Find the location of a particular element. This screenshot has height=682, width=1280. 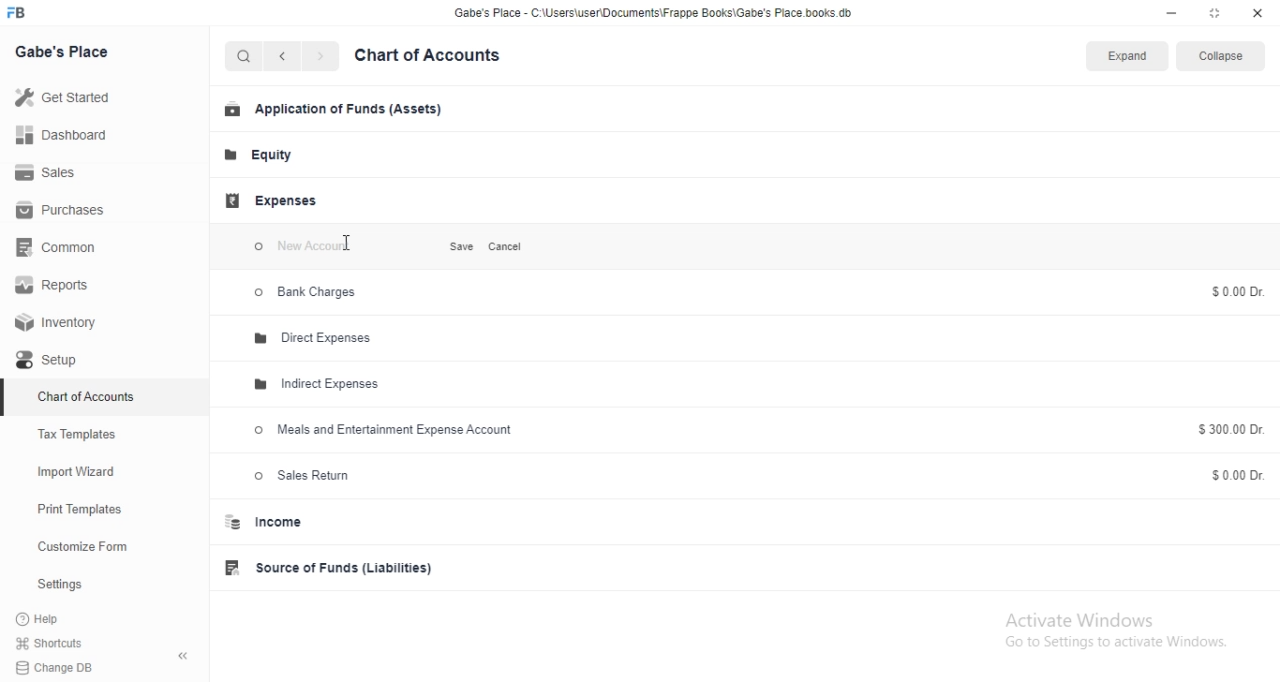

restore down is located at coordinates (1216, 15).